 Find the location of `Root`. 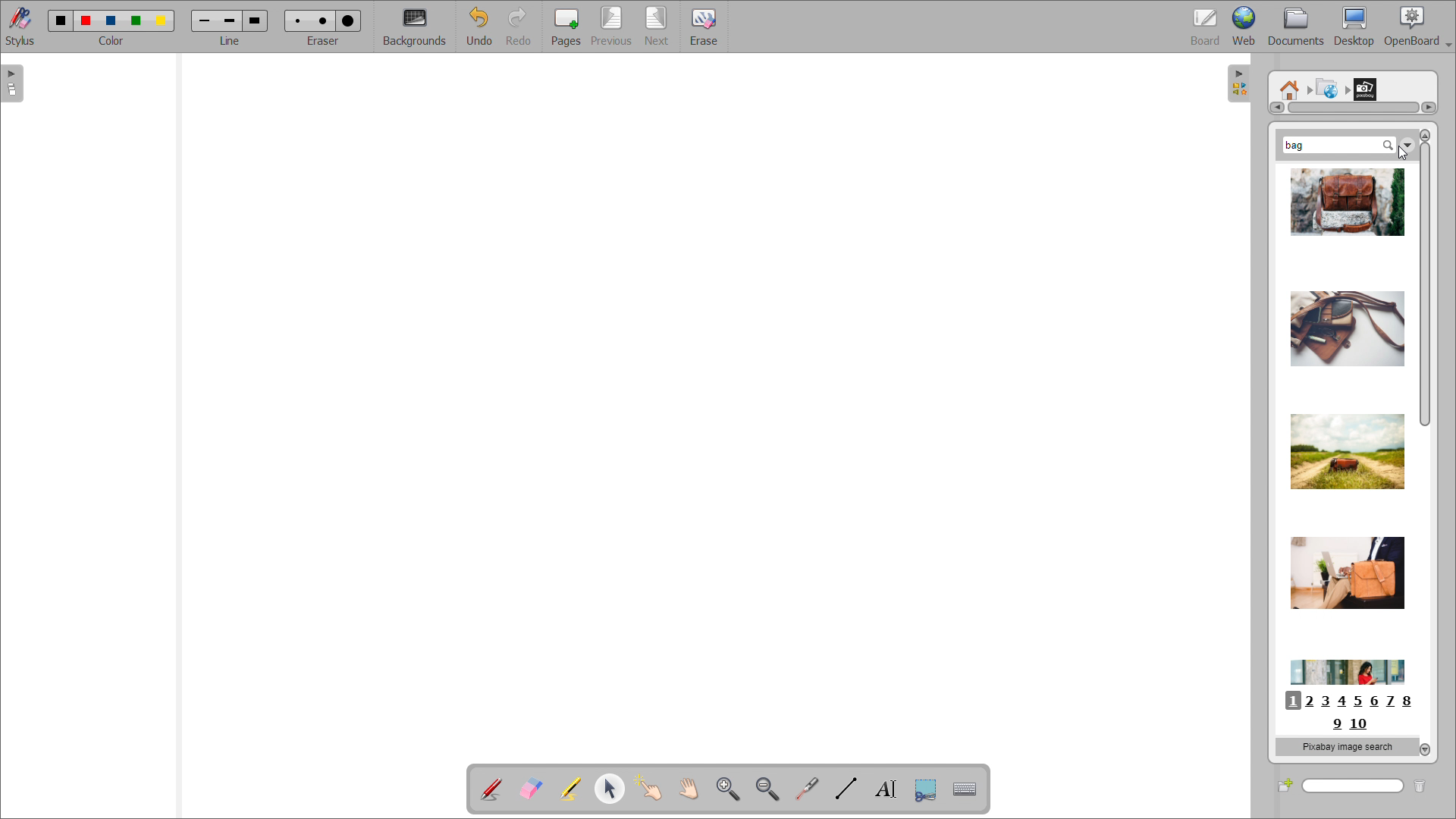

Root is located at coordinates (1290, 84).